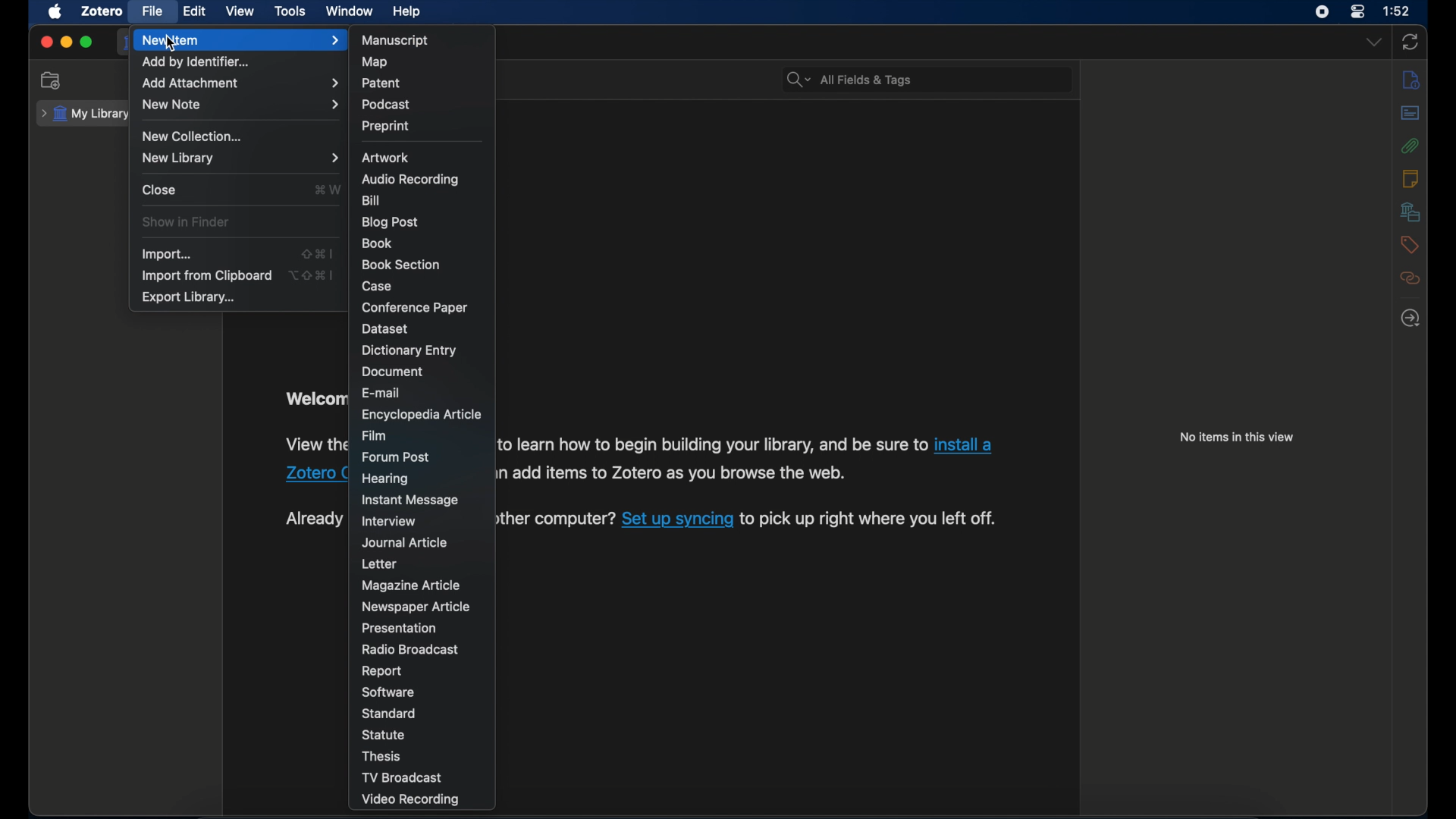 The width and height of the screenshot is (1456, 819). Describe the element at coordinates (386, 158) in the screenshot. I see `artwork` at that location.